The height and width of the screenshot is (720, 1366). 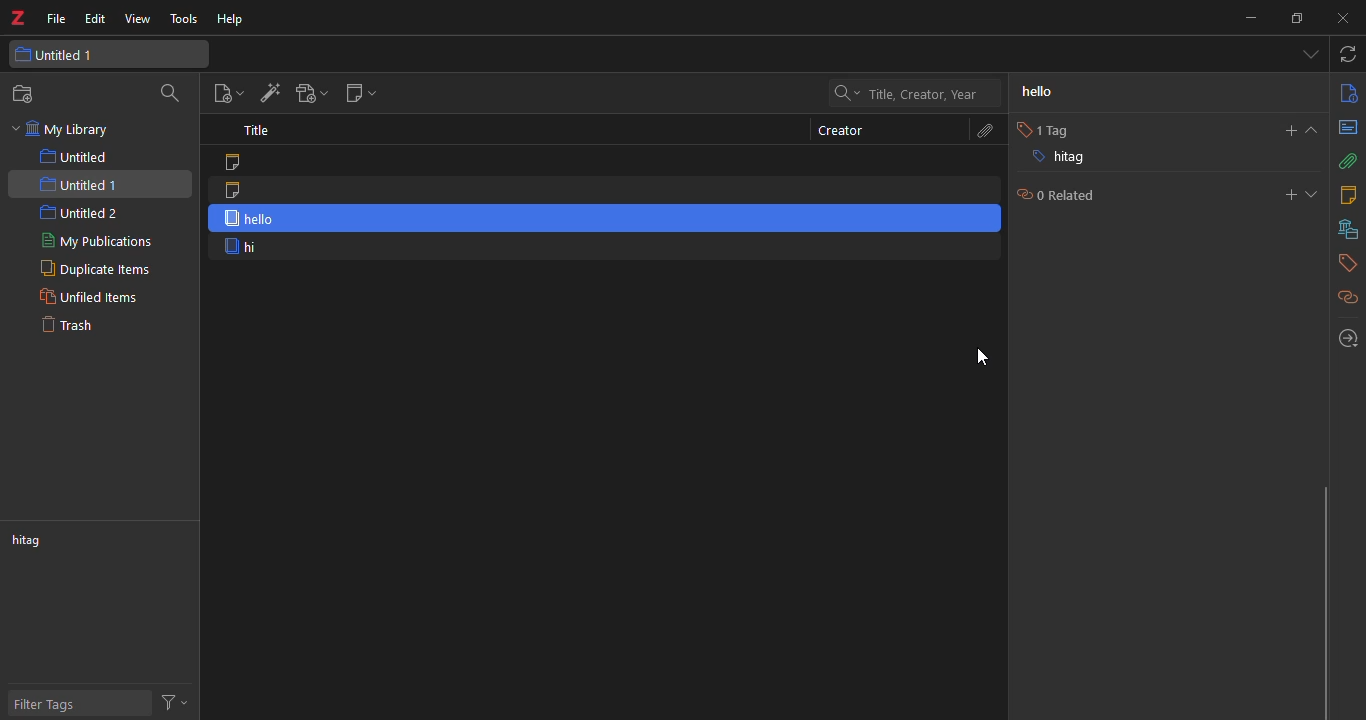 I want to click on filter tags, so click(x=56, y=703).